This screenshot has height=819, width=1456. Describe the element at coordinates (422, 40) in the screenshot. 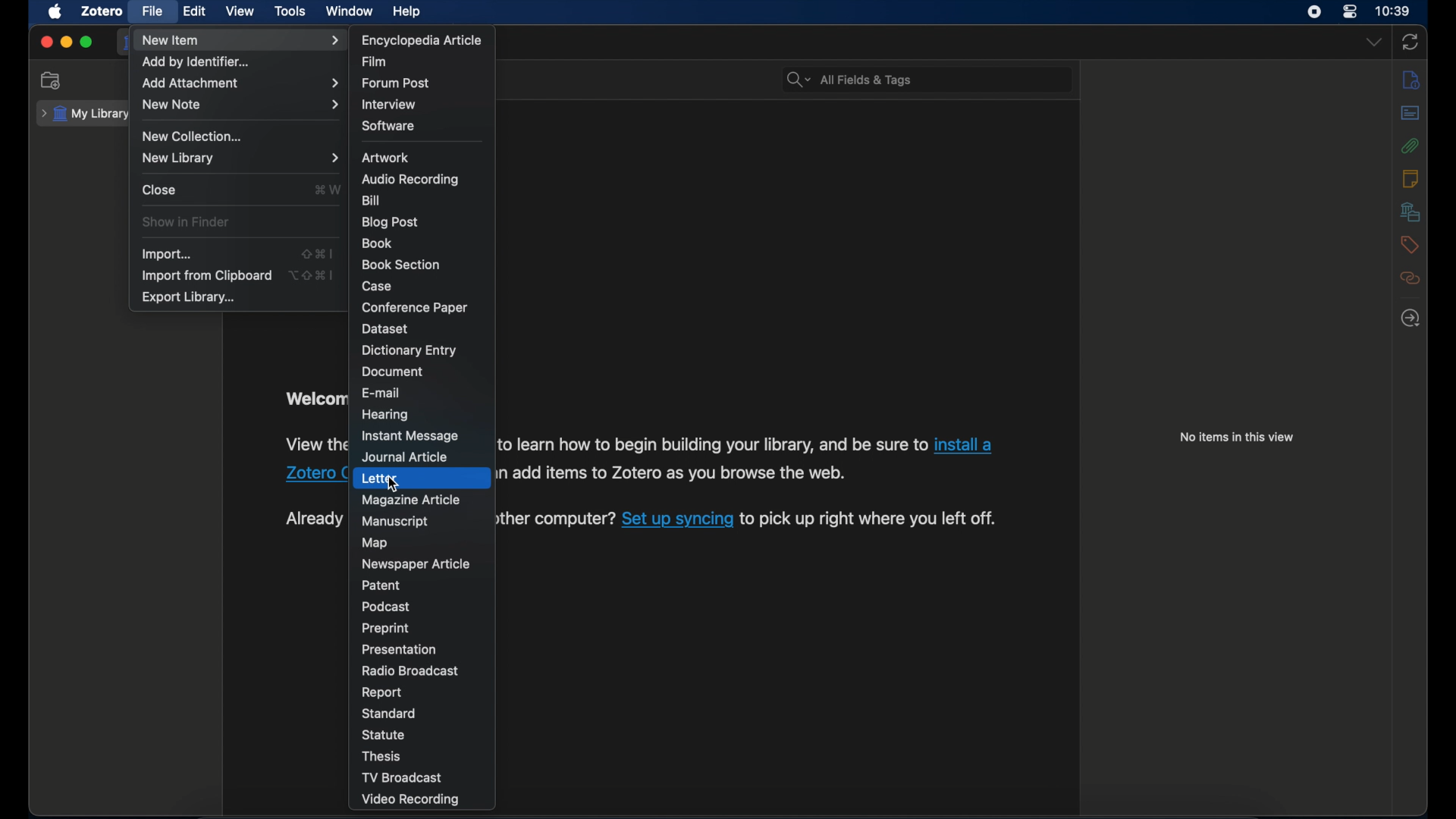

I see `encyclopedia article` at that location.